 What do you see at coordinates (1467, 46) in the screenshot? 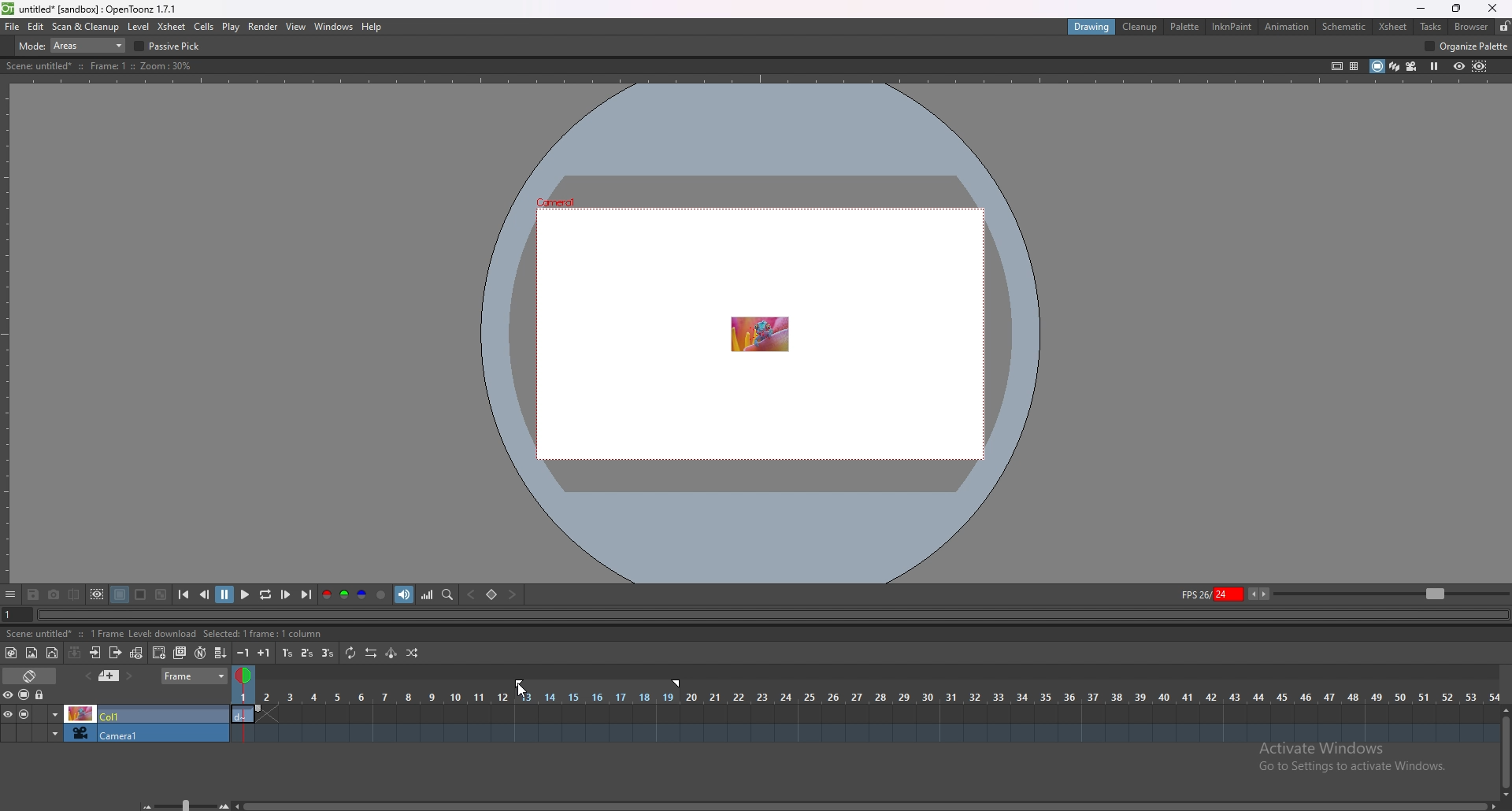
I see `organize palette` at bounding box center [1467, 46].